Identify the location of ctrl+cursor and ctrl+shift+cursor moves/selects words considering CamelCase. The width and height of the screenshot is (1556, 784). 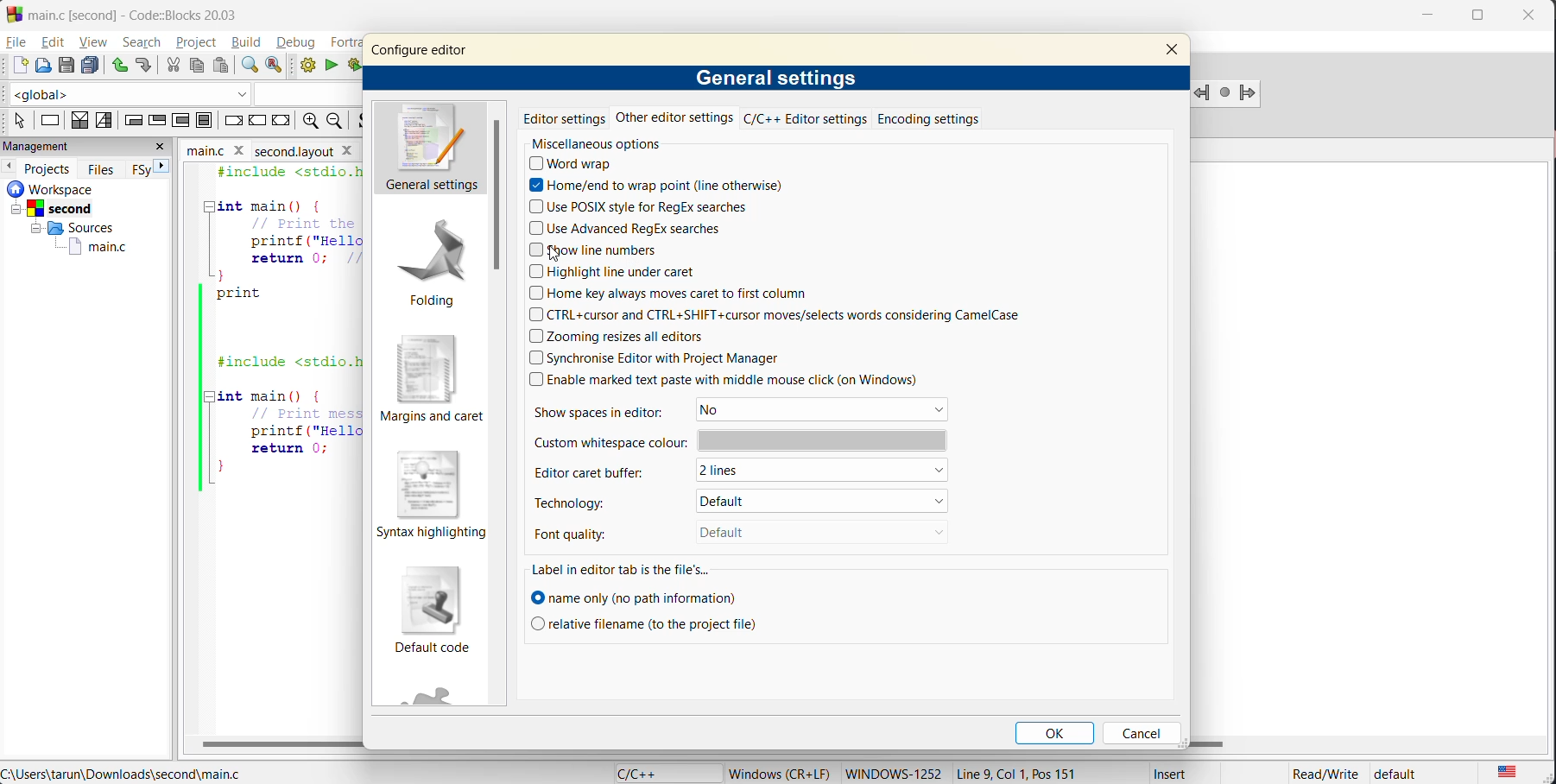
(792, 316).